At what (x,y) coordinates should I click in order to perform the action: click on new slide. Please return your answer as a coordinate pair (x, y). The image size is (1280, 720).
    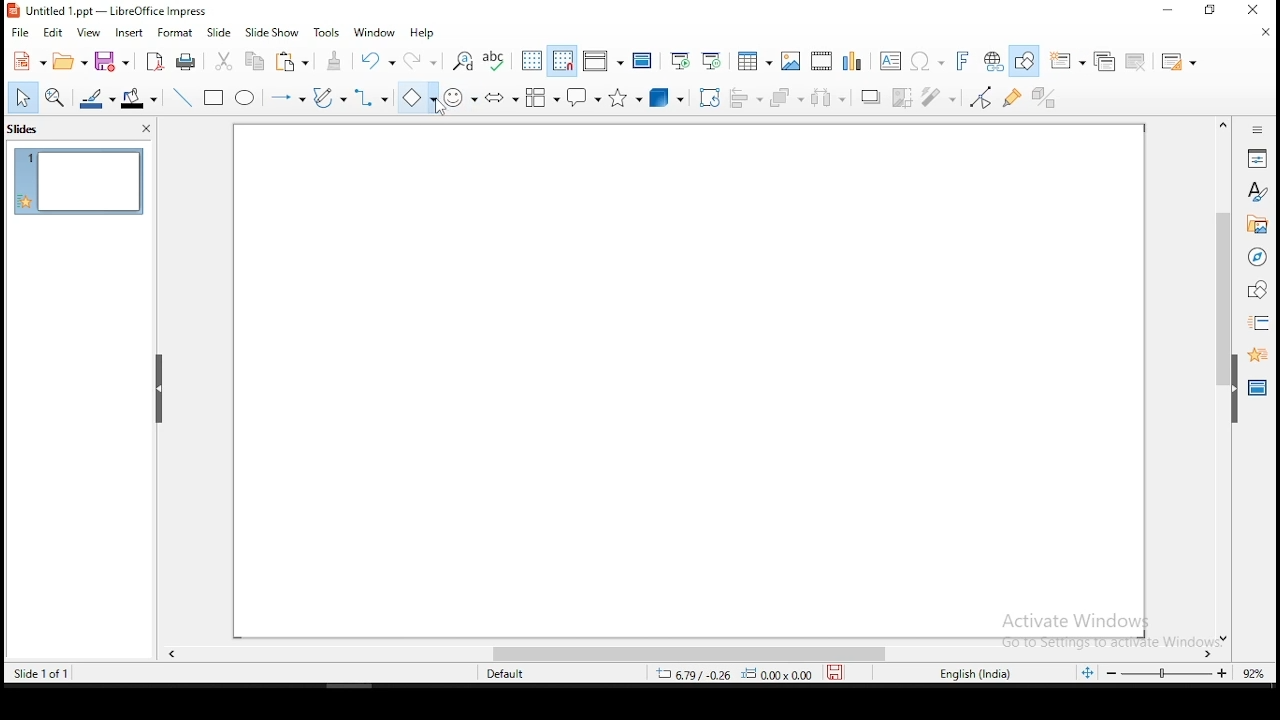
    Looking at the image, I should click on (1069, 60).